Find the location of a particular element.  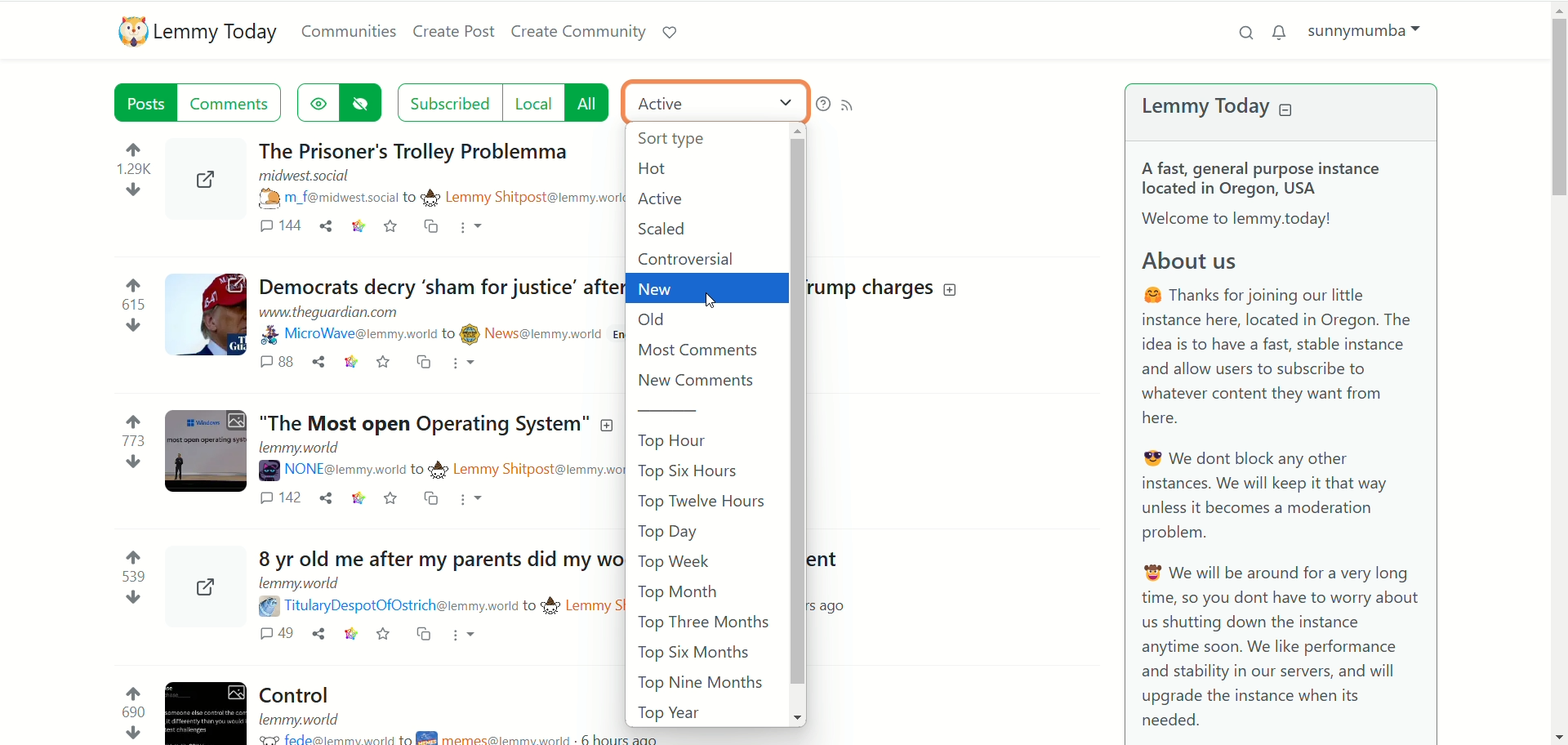

top six hours is located at coordinates (693, 472).